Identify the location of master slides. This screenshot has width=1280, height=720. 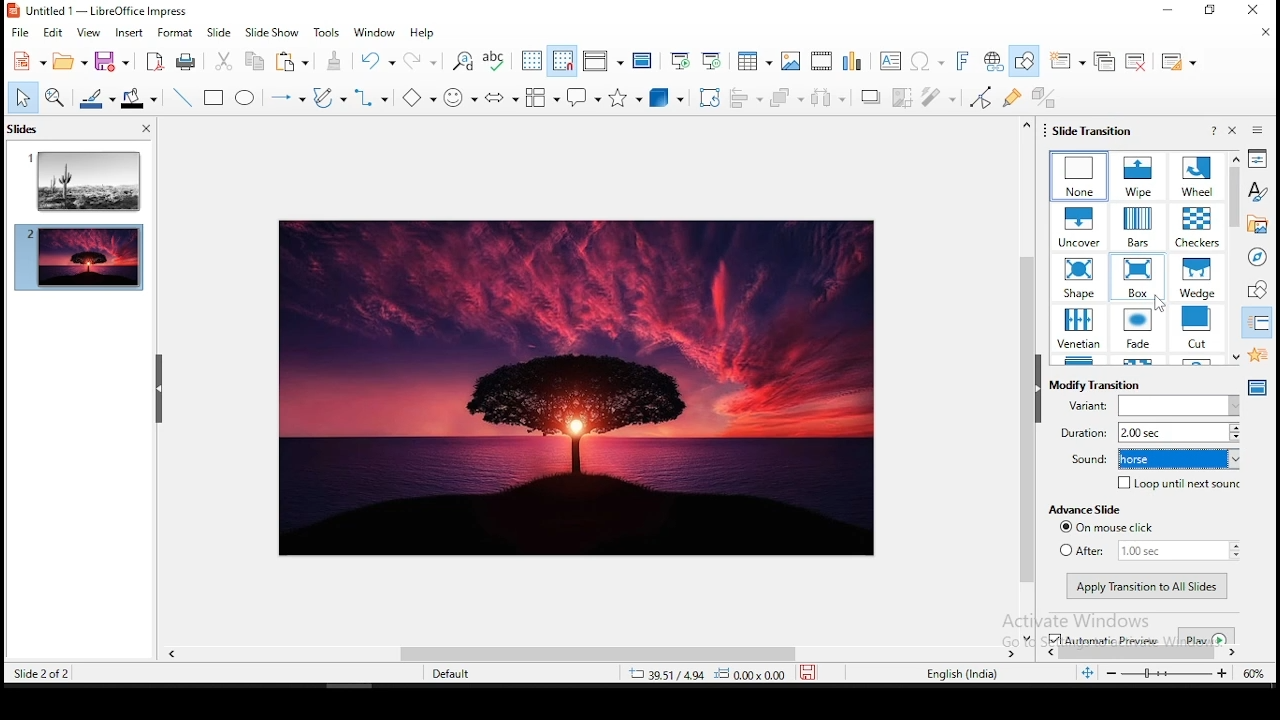
(1257, 388).